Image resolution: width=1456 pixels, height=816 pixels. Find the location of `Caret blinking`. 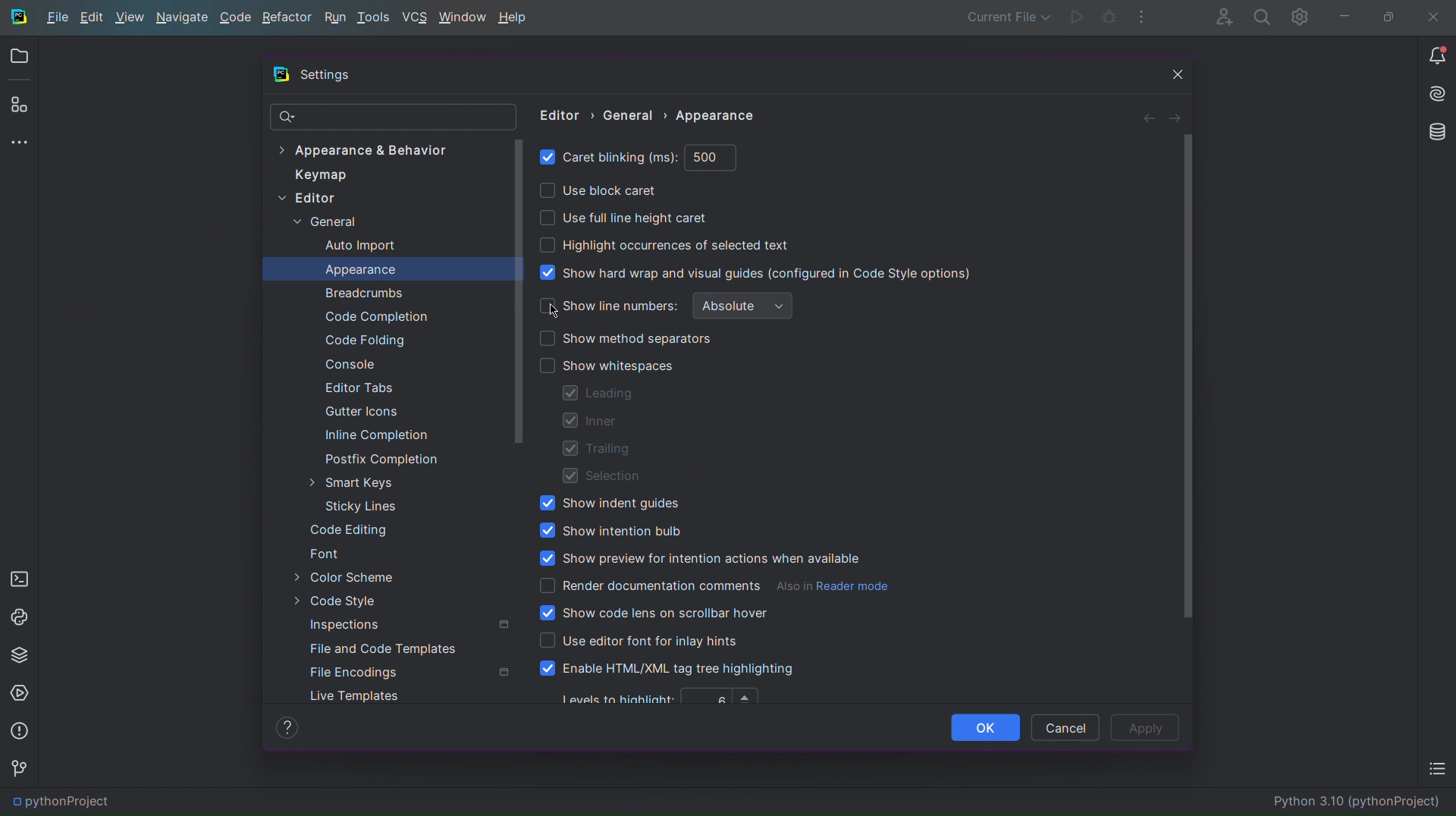

Caret blinking is located at coordinates (639, 158).